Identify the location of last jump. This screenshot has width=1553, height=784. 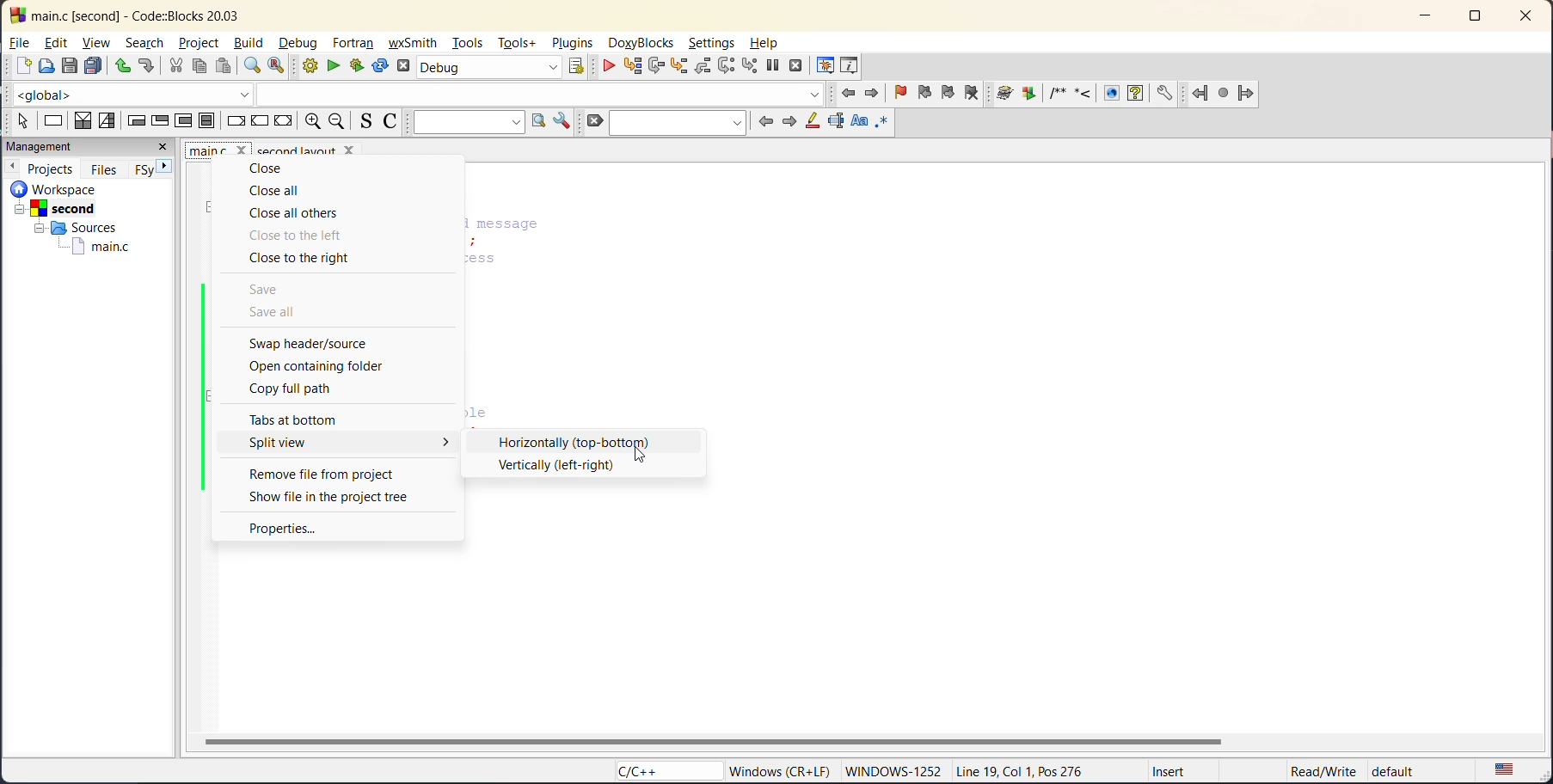
(1225, 89).